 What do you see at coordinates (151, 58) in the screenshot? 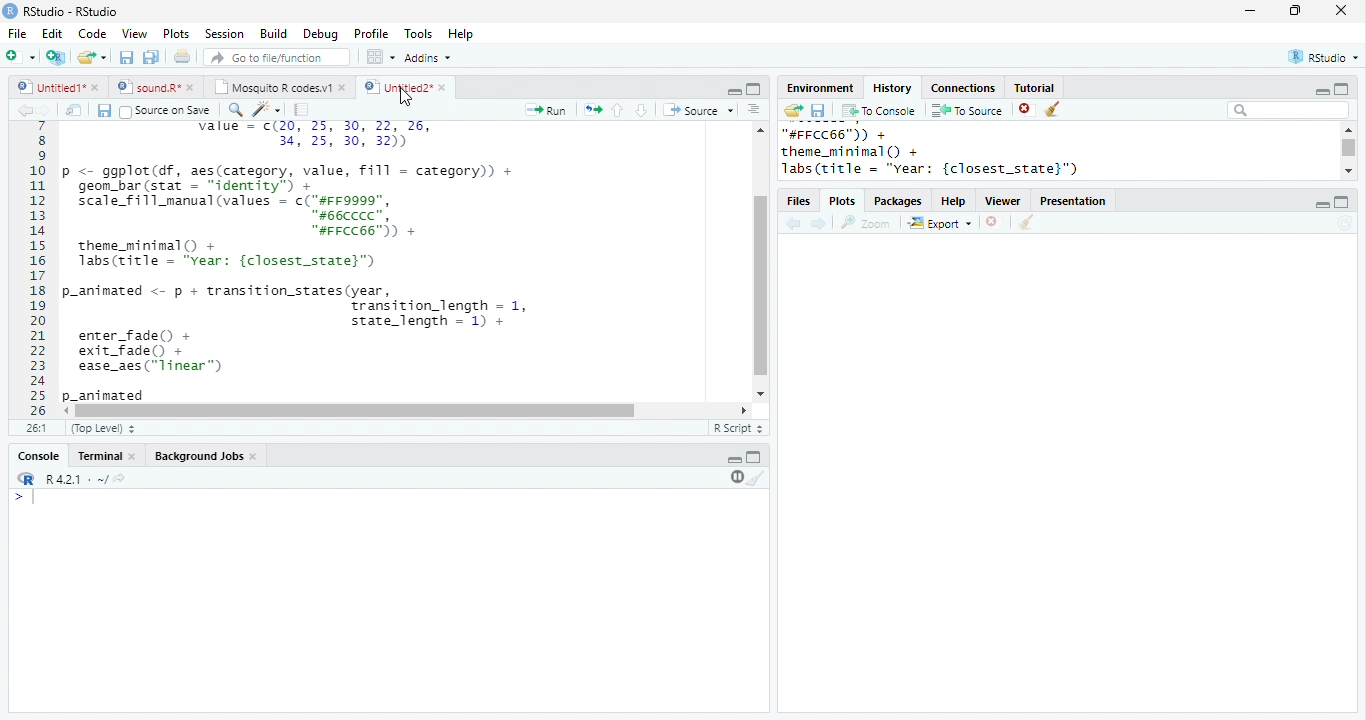
I see `save all` at bounding box center [151, 58].